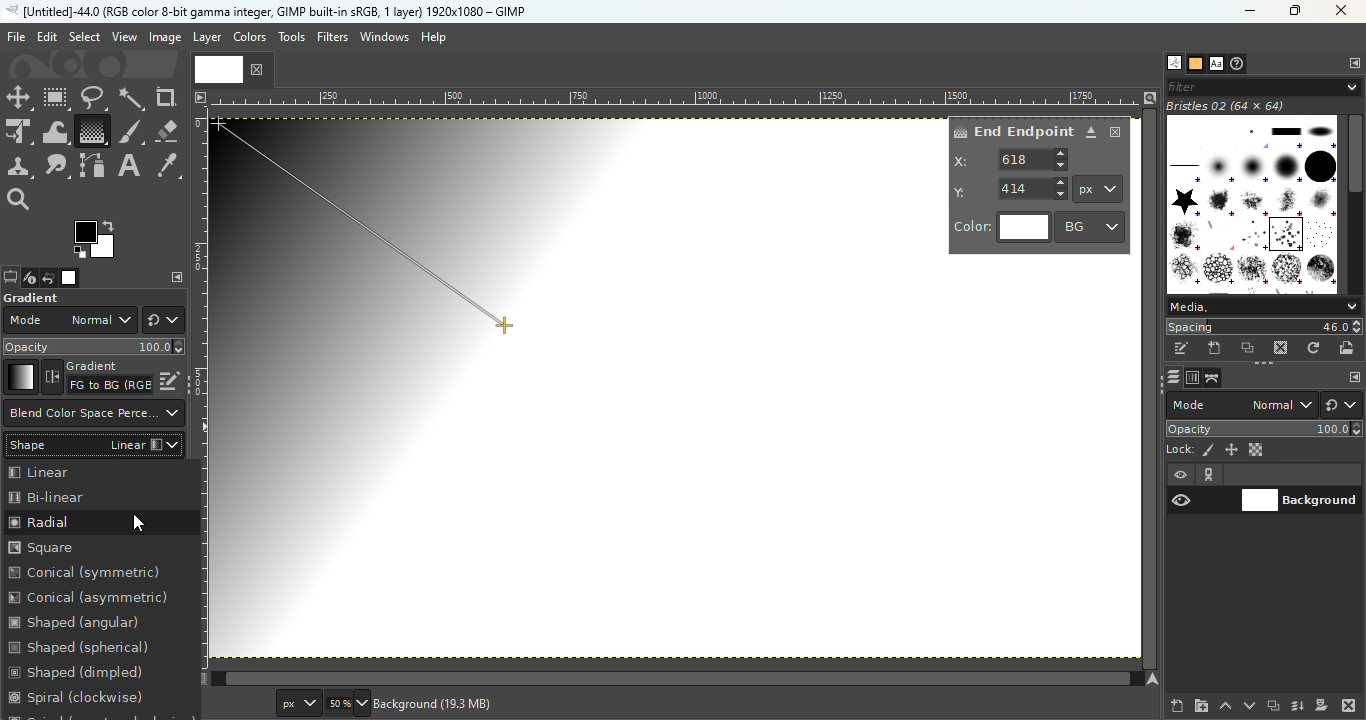 This screenshot has height=720, width=1366. Describe the element at coordinates (98, 522) in the screenshot. I see `Radial` at that location.